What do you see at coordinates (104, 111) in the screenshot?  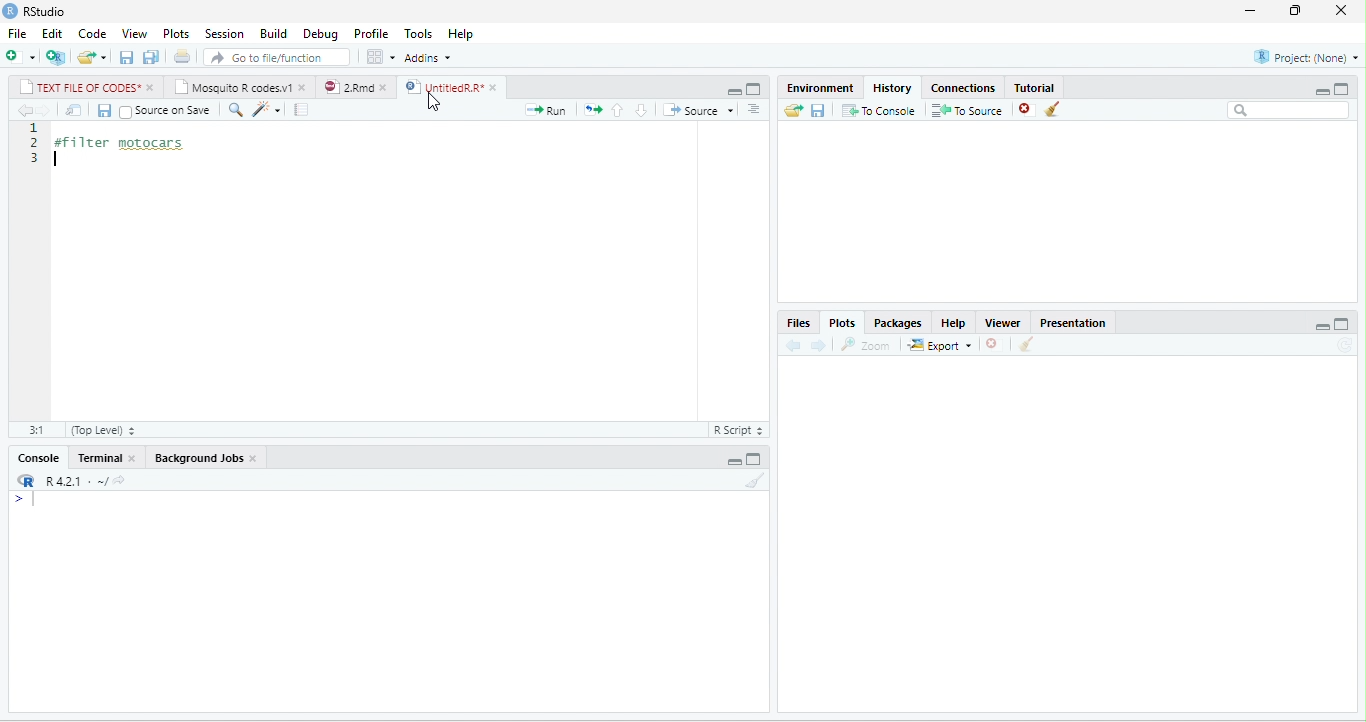 I see `save` at bounding box center [104, 111].